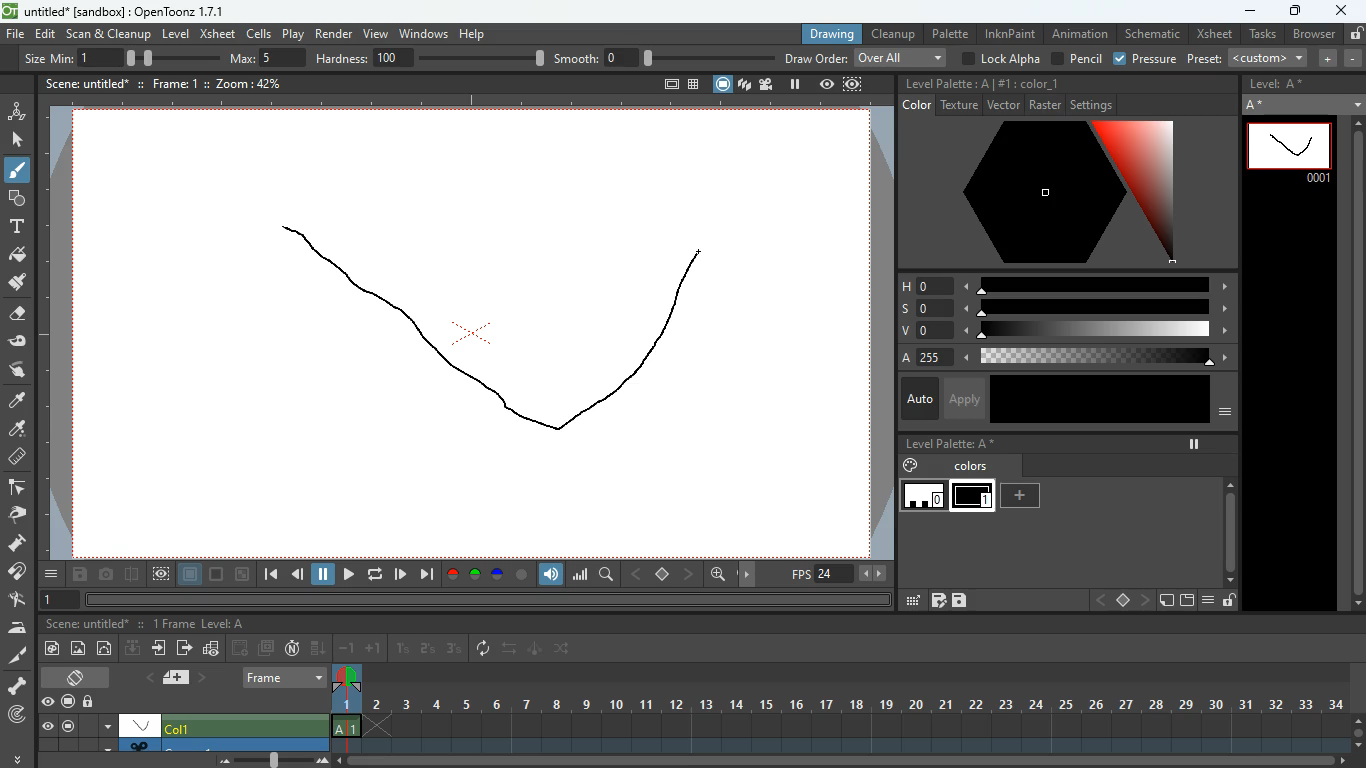  Describe the element at coordinates (1194, 444) in the screenshot. I see `pause` at that location.